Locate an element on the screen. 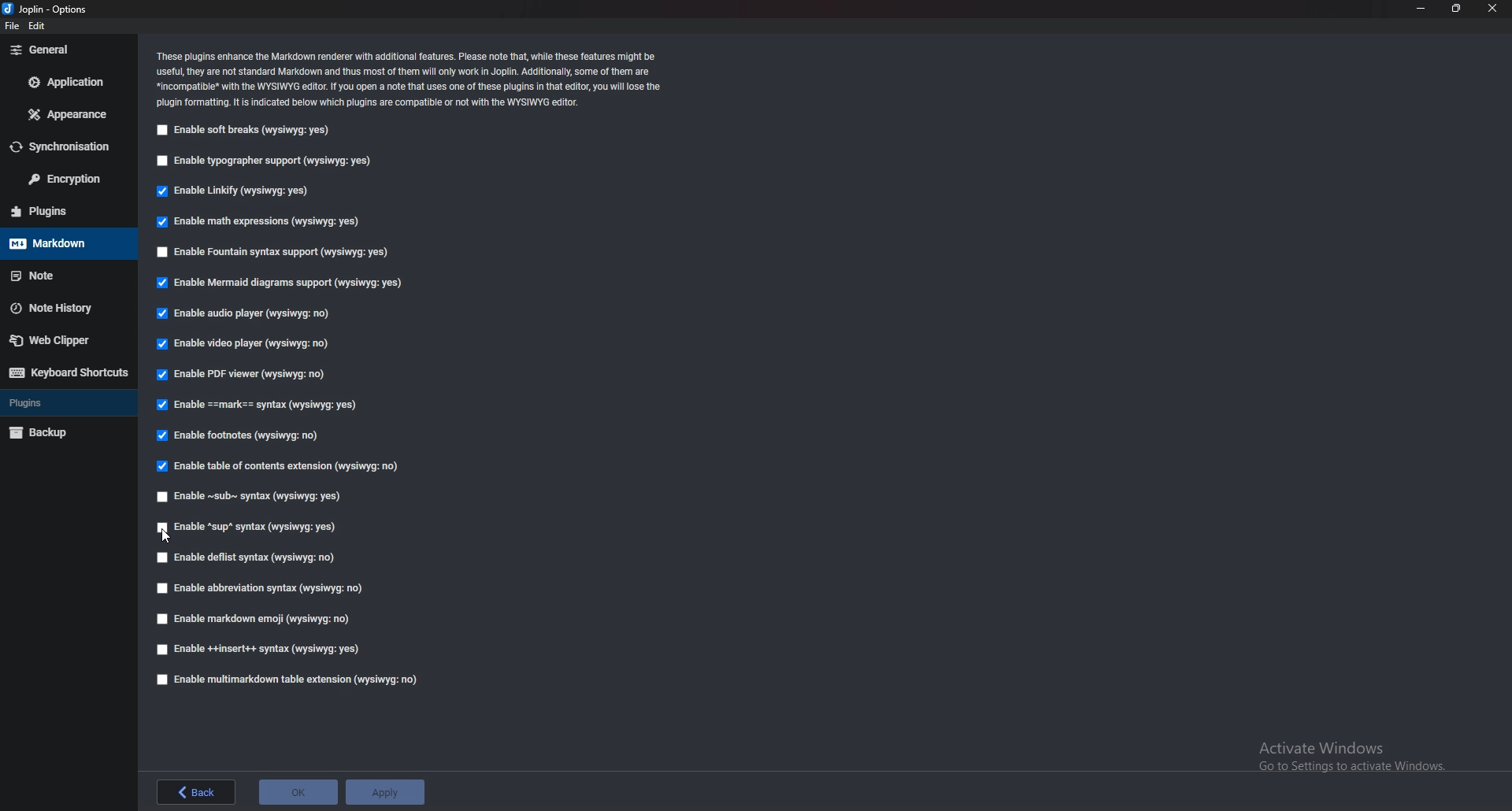 The image size is (1512, 811). plugins is located at coordinates (65, 210).